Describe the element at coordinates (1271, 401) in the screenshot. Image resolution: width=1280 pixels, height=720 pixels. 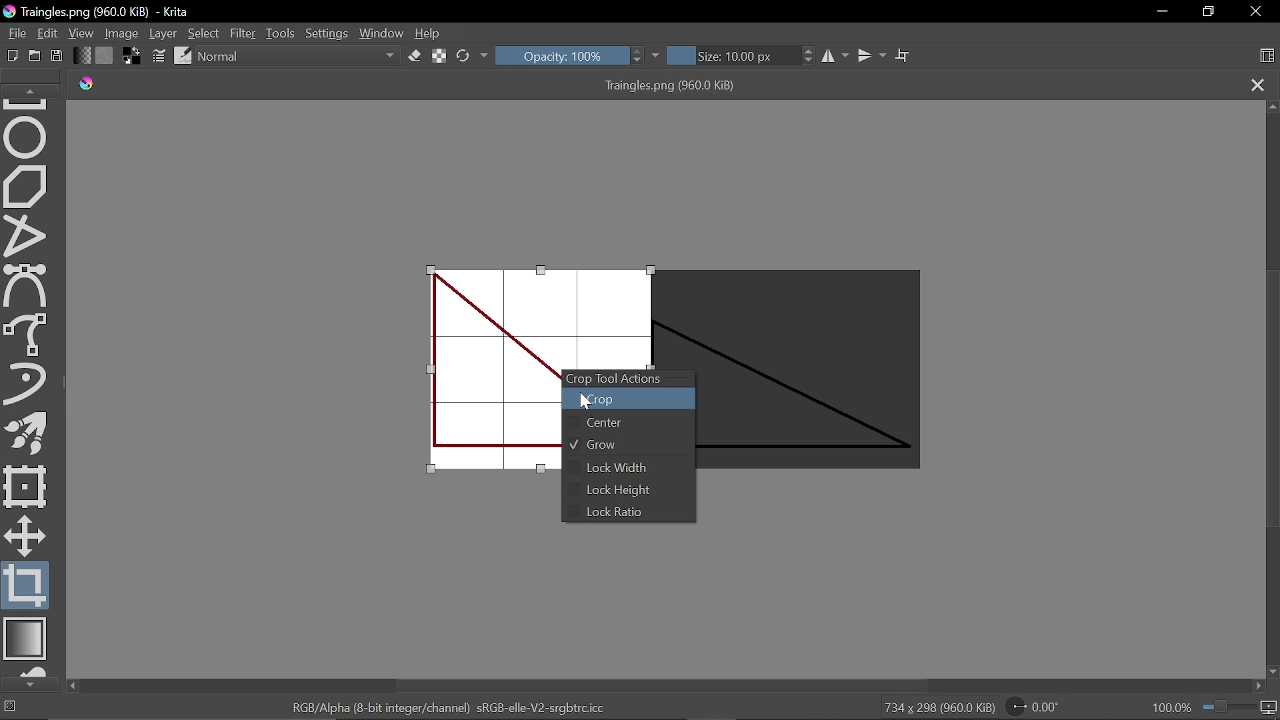
I see `Scroll bar` at that location.